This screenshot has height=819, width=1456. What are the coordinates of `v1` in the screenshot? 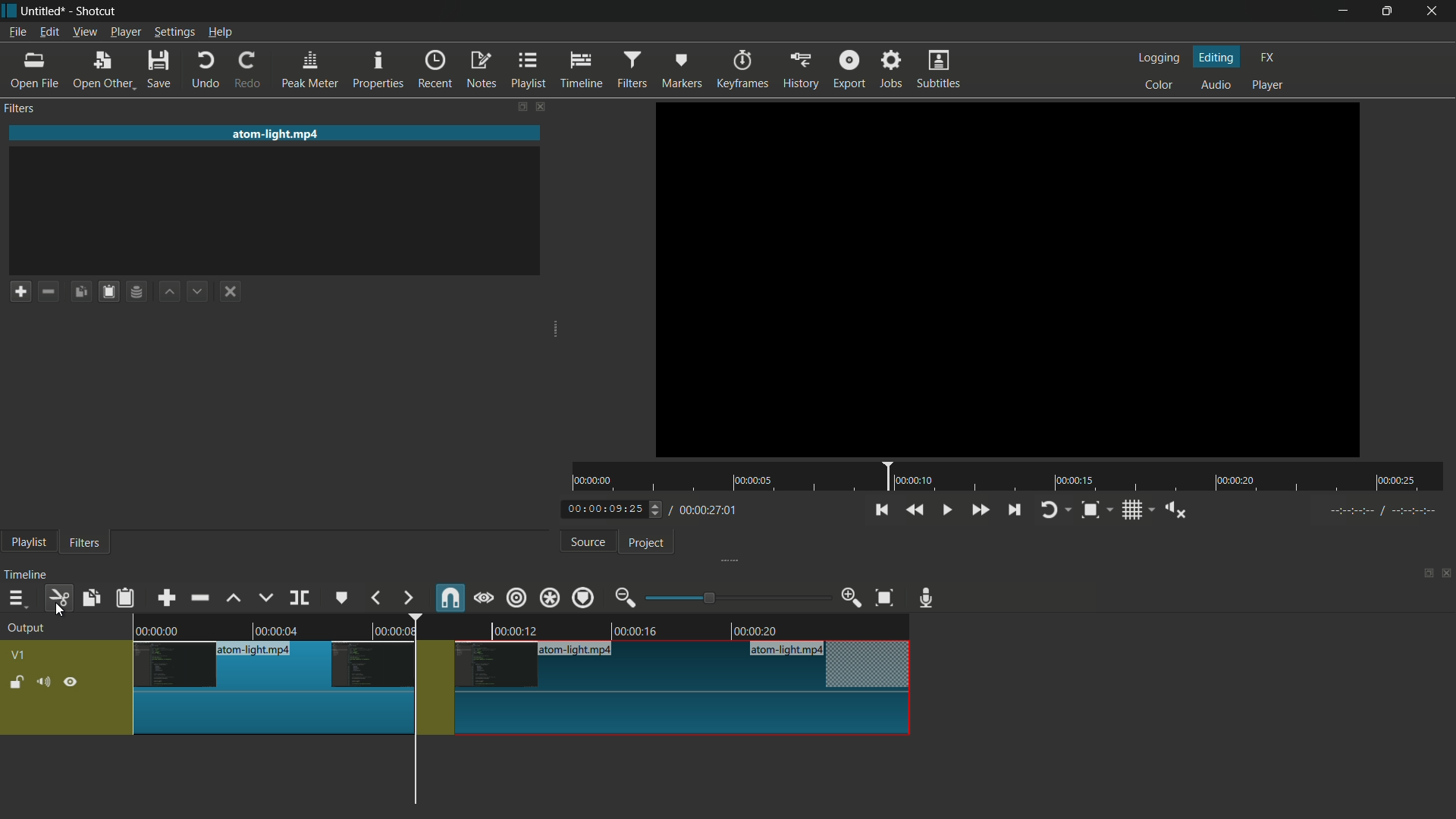 It's located at (17, 655).